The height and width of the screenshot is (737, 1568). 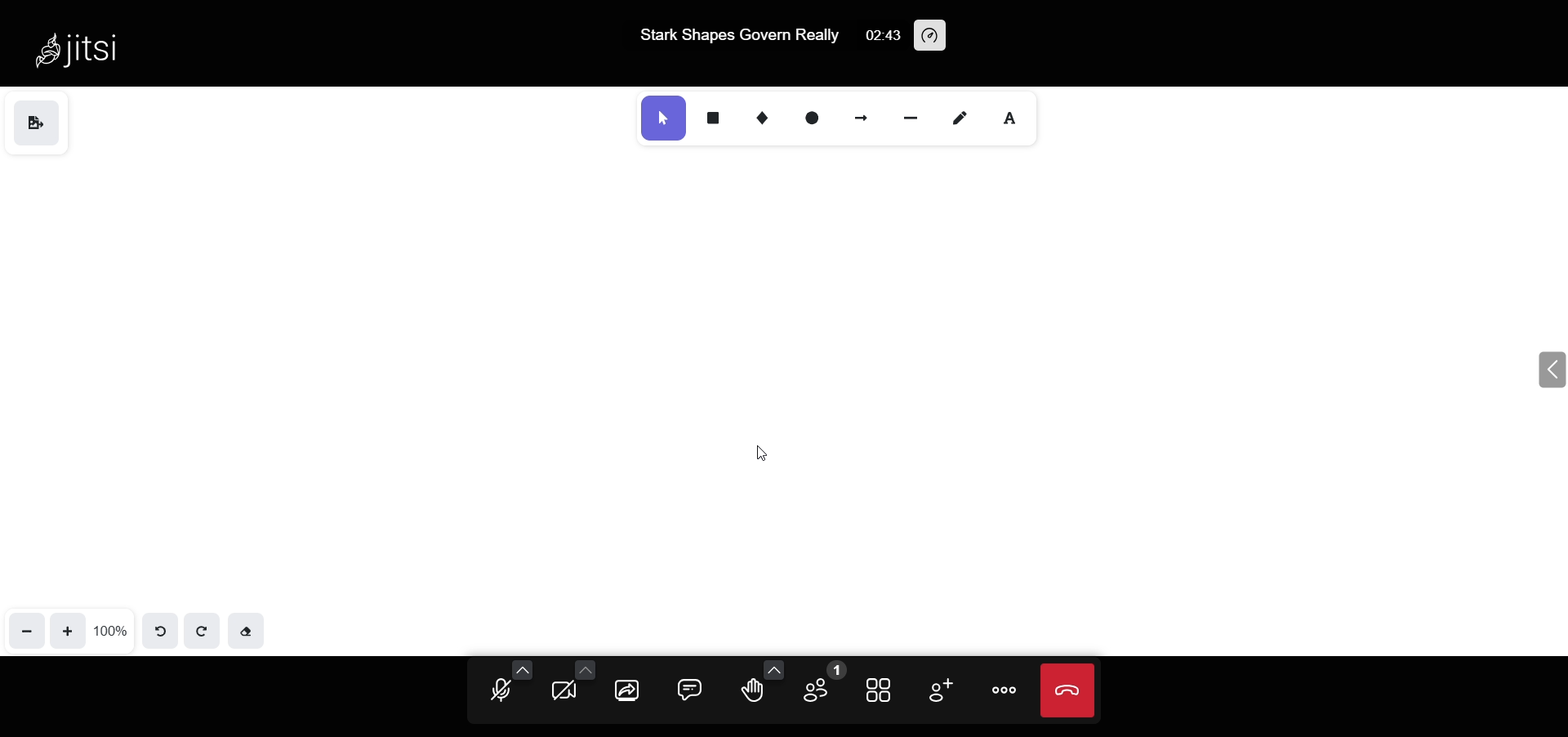 I want to click on redo, so click(x=202, y=629).